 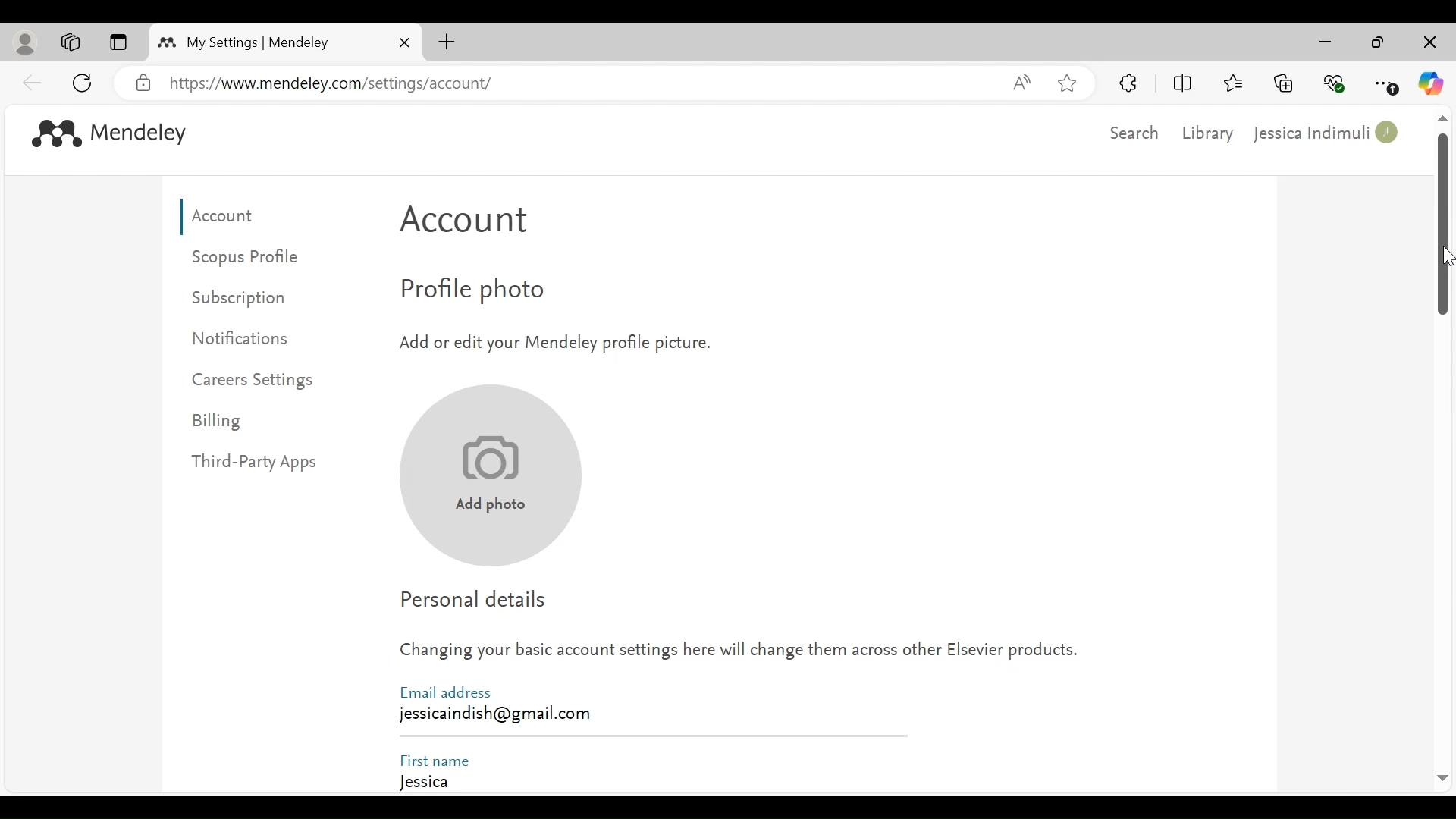 What do you see at coordinates (33, 82) in the screenshot?
I see ` back` at bounding box center [33, 82].